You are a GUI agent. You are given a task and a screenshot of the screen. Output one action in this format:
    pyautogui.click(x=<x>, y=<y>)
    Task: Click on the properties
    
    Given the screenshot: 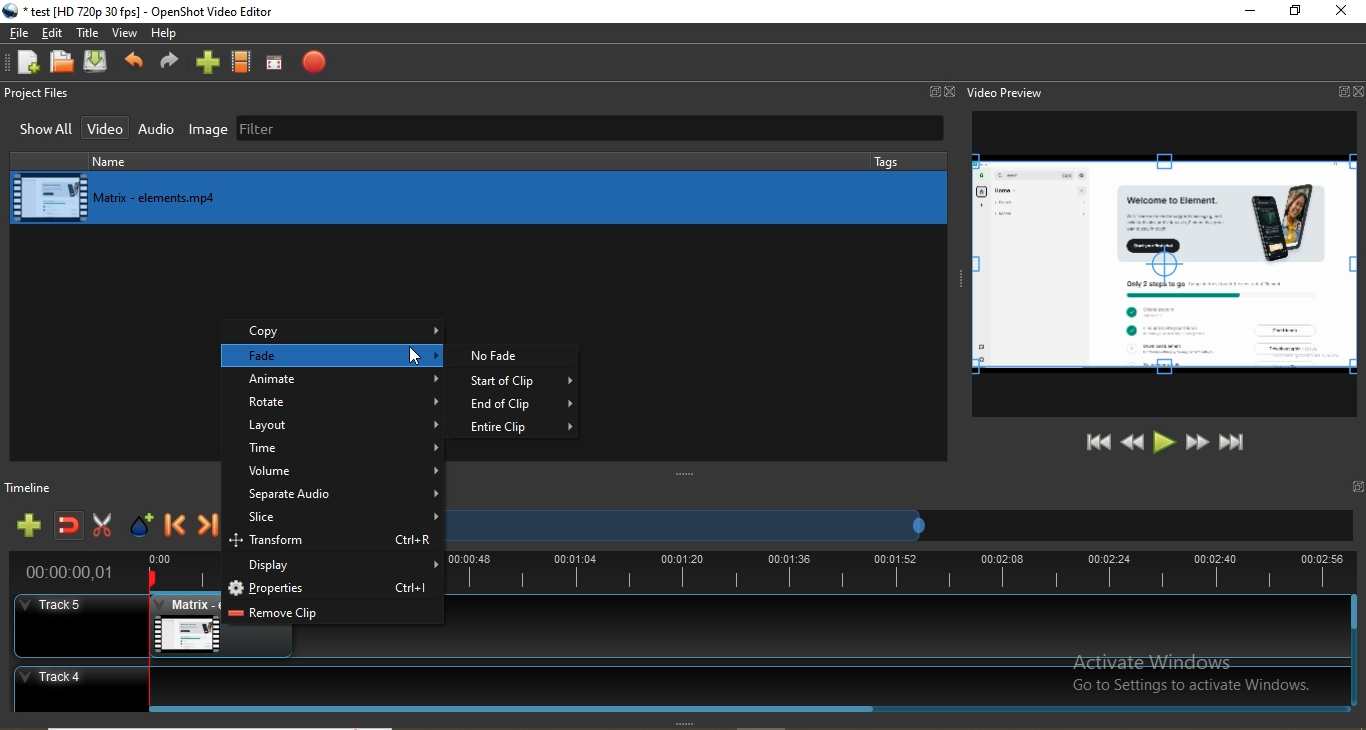 What is the action you would take?
    pyautogui.click(x=330, y=590)
    